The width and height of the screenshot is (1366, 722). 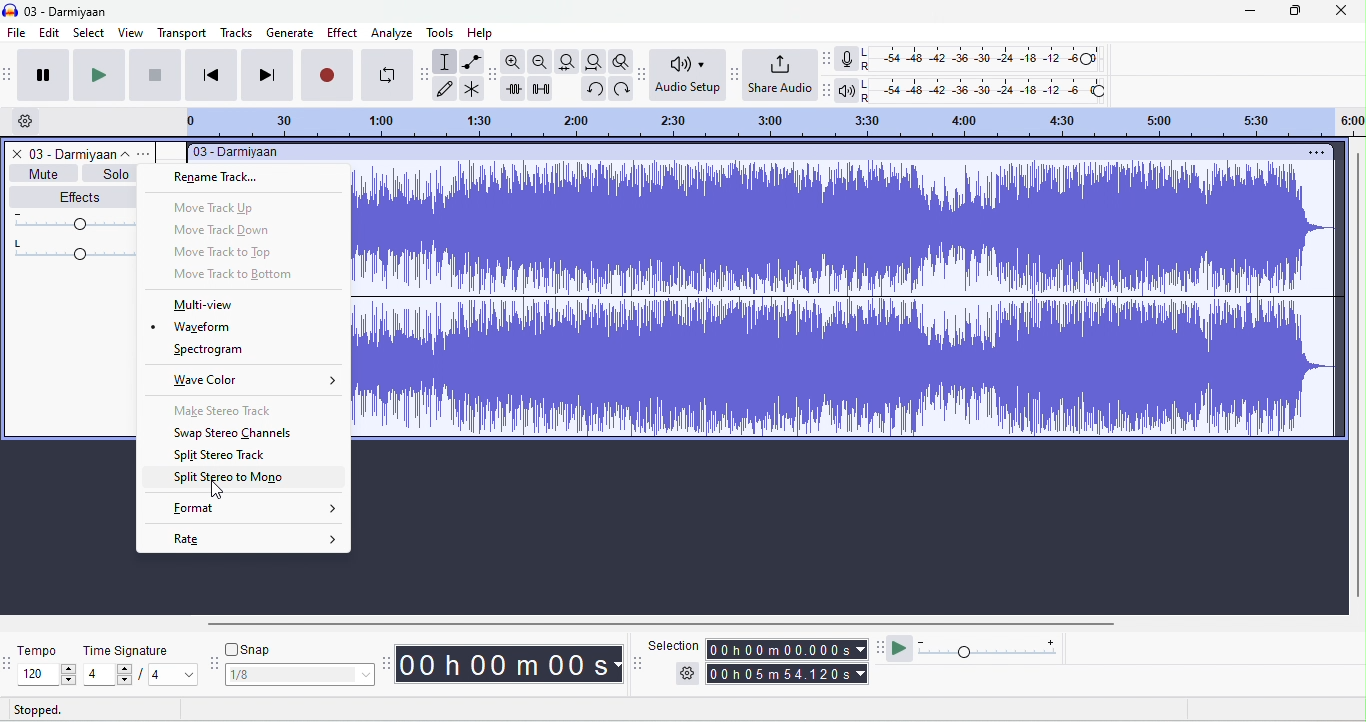 What do you see at coordinates (826, 90) in the screenshot?
I see `playback meter tool bar` at bounding box center [826, 90].